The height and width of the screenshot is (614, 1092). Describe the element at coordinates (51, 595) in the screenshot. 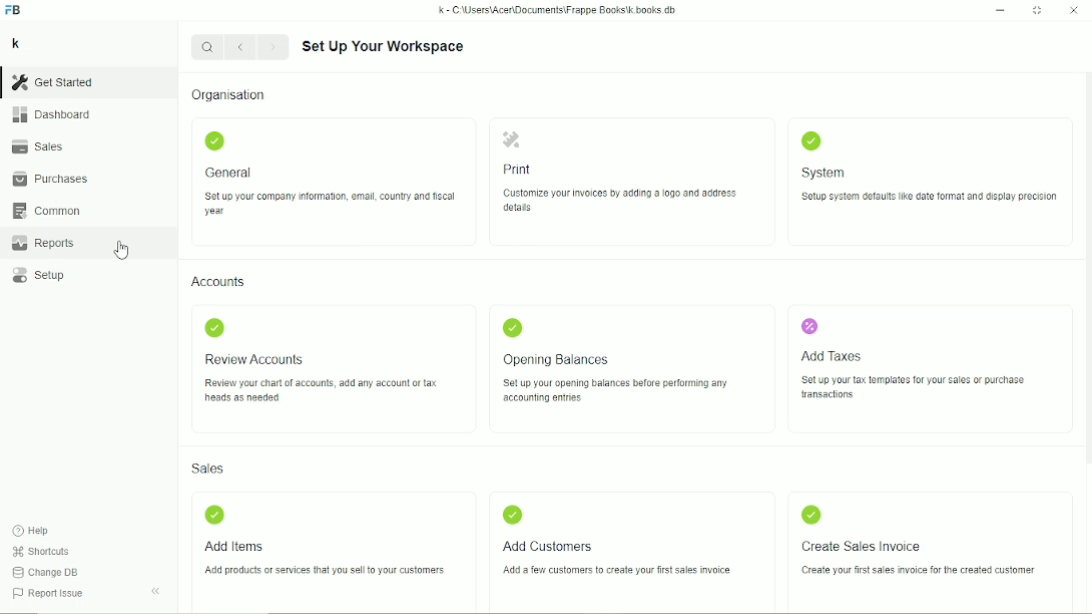

I see `Report issue` at that location.